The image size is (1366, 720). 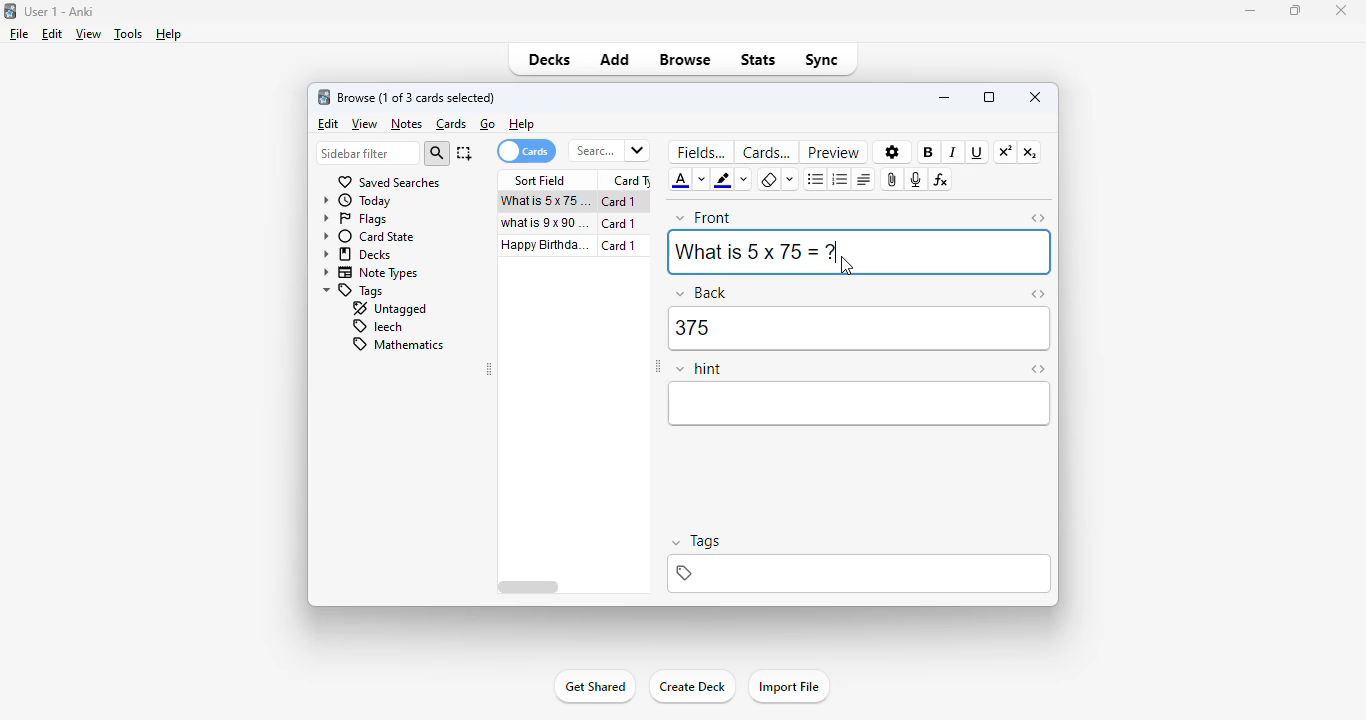 I want to click on file, so click(x=20, y=34).